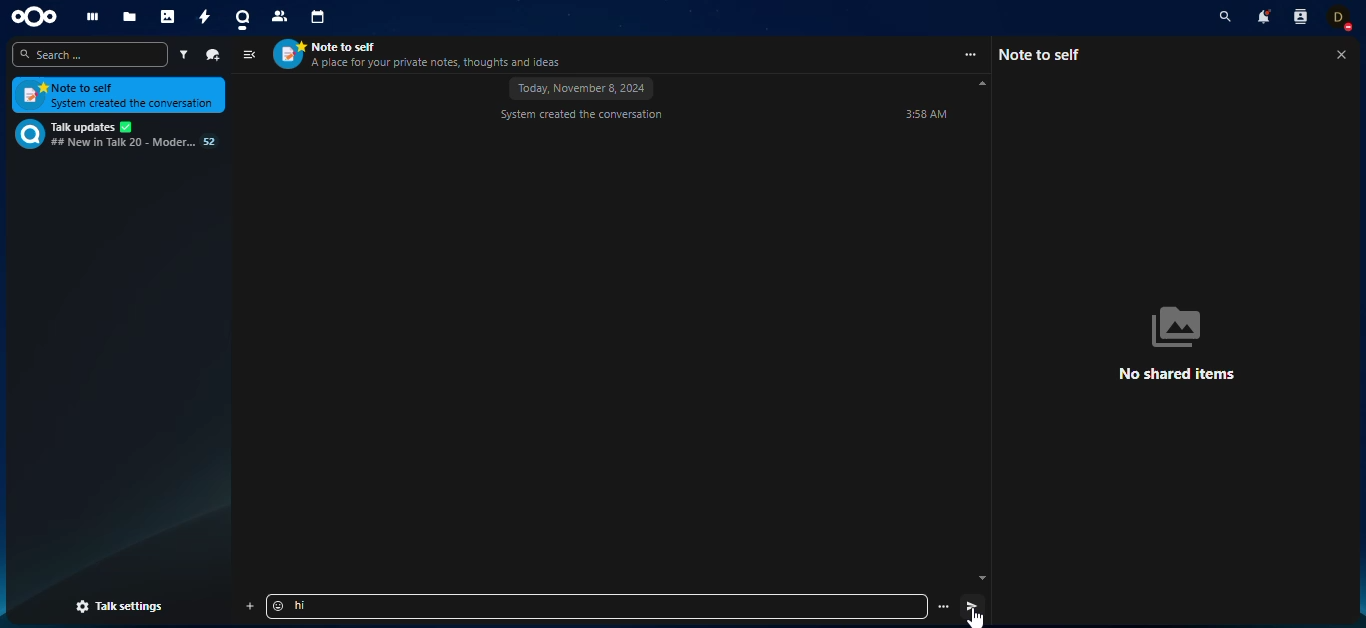  What do you see at coordinates (974, 619) in the screenshot?
I see `mouse pointer` at bounding box center [974, 619].